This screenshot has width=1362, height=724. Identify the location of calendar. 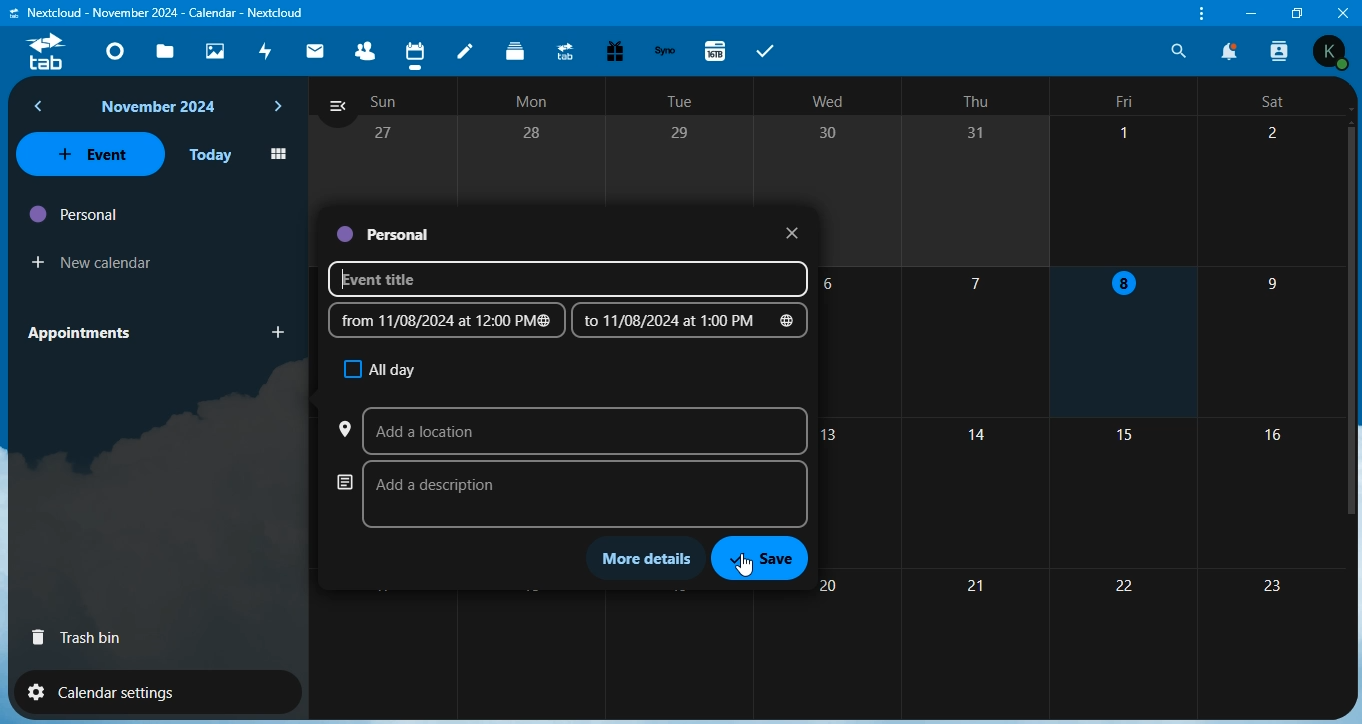
(416, 50).